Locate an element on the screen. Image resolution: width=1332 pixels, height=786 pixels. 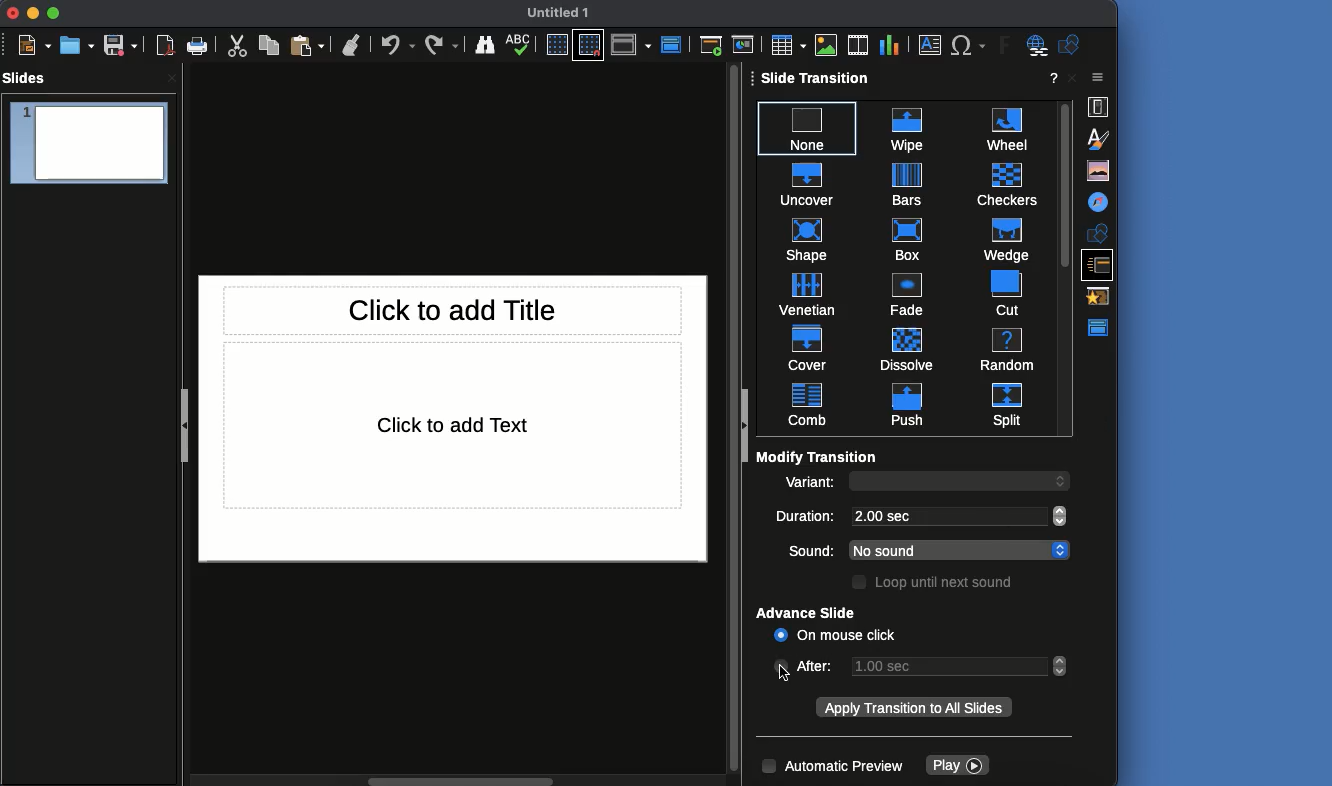
New is located at coordinates (36, 46).